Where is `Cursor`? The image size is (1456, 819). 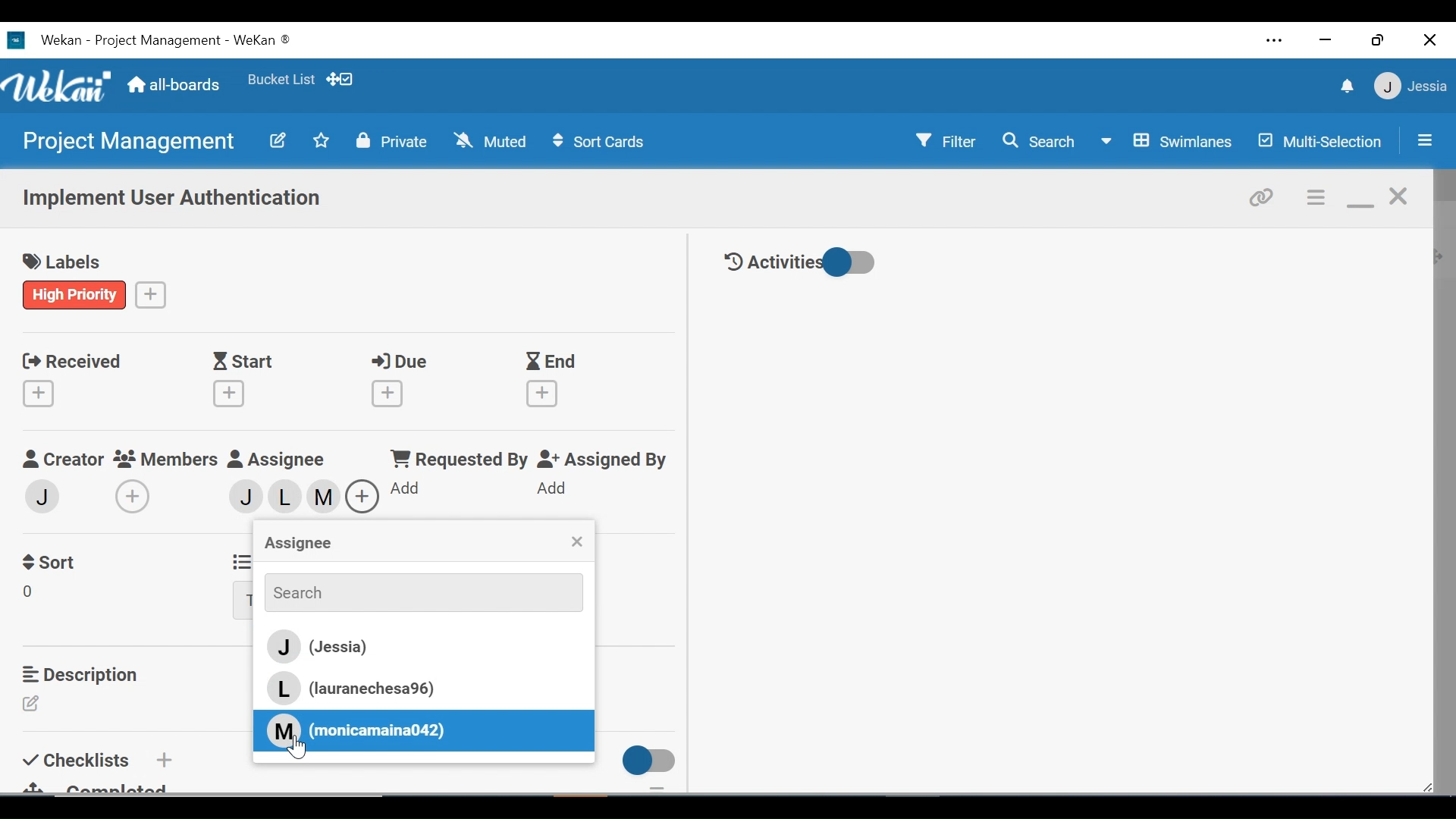 Cursor is located at coordinates (303, 749).